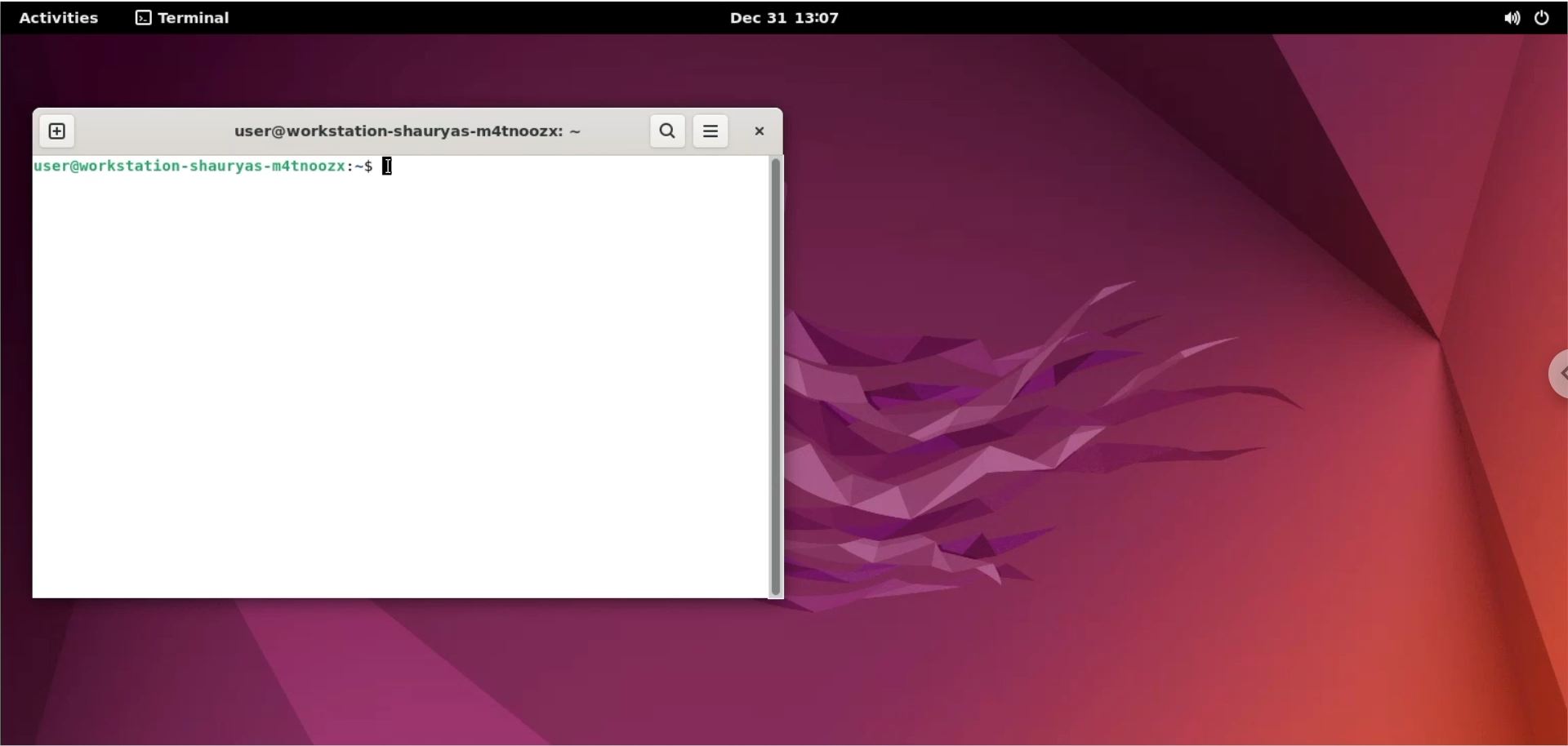 This screenshot has height=746, width=1568. What do you see at coordinates (180, 20) in the screenshot?
I see `terminal` at bounding box center [180, 20].